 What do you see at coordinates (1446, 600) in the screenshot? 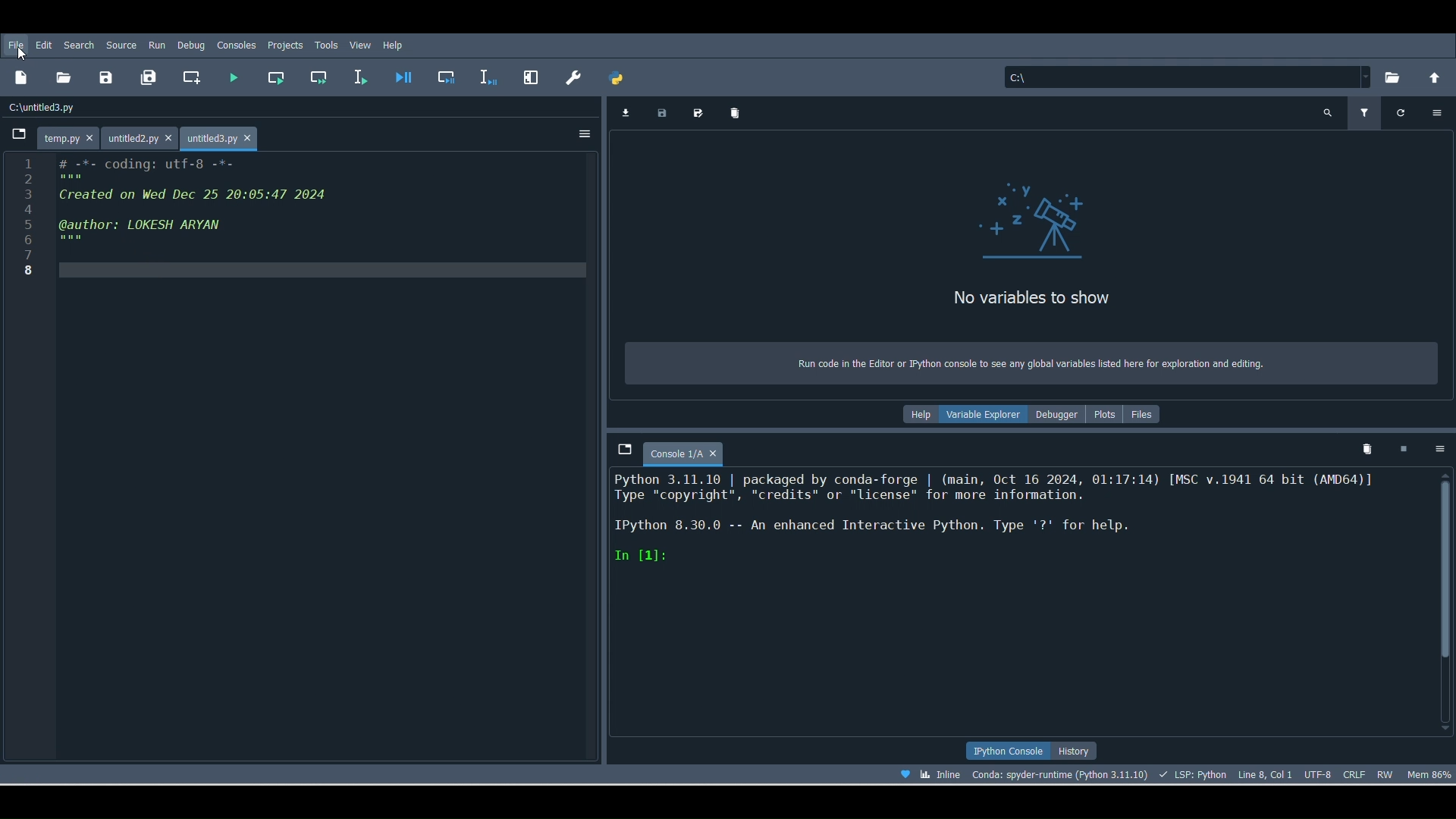
I see `Scroll bar` at bounding box center [1446, 600].